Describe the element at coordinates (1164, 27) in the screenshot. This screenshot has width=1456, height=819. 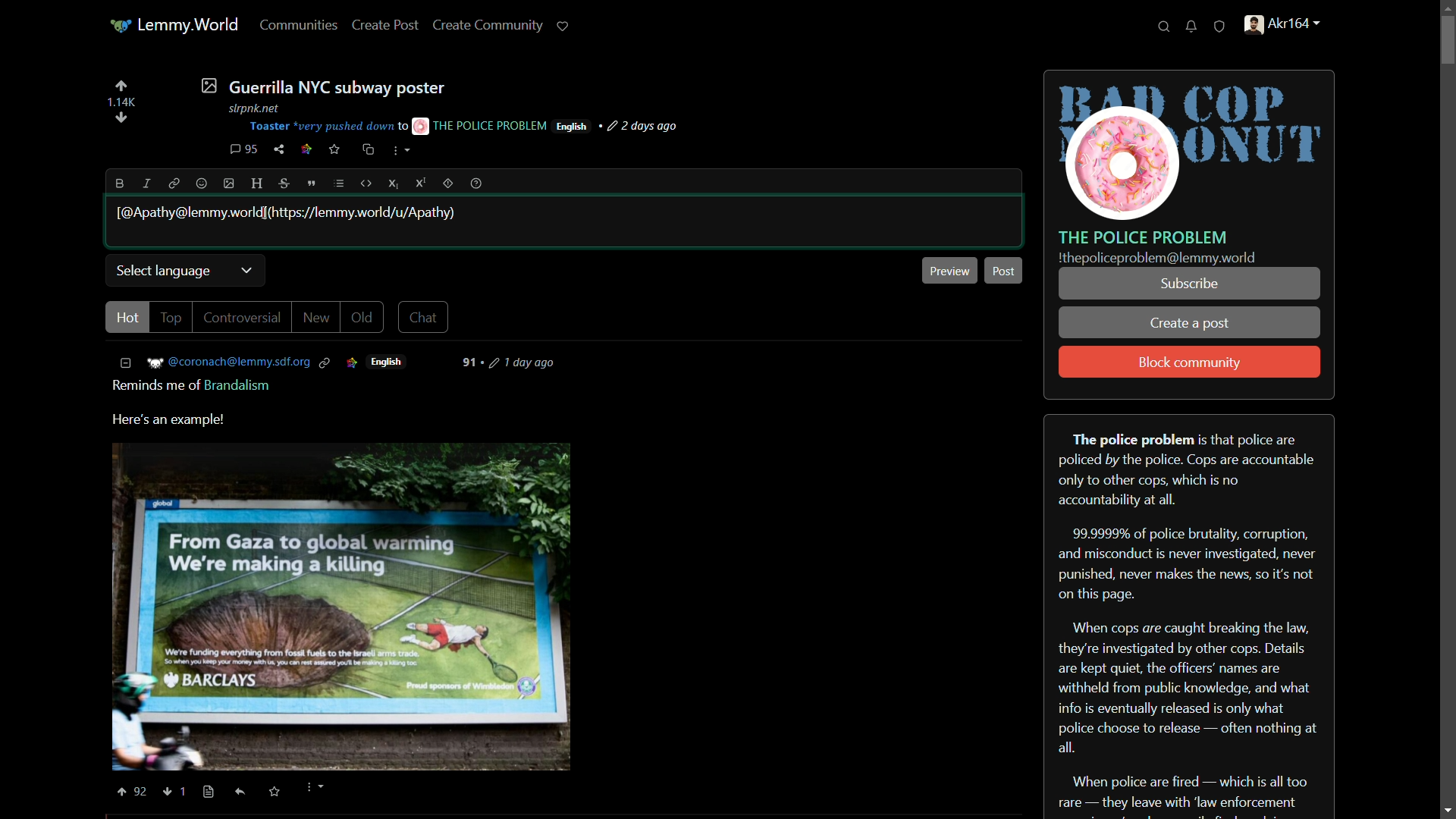
I see `search` at that location.